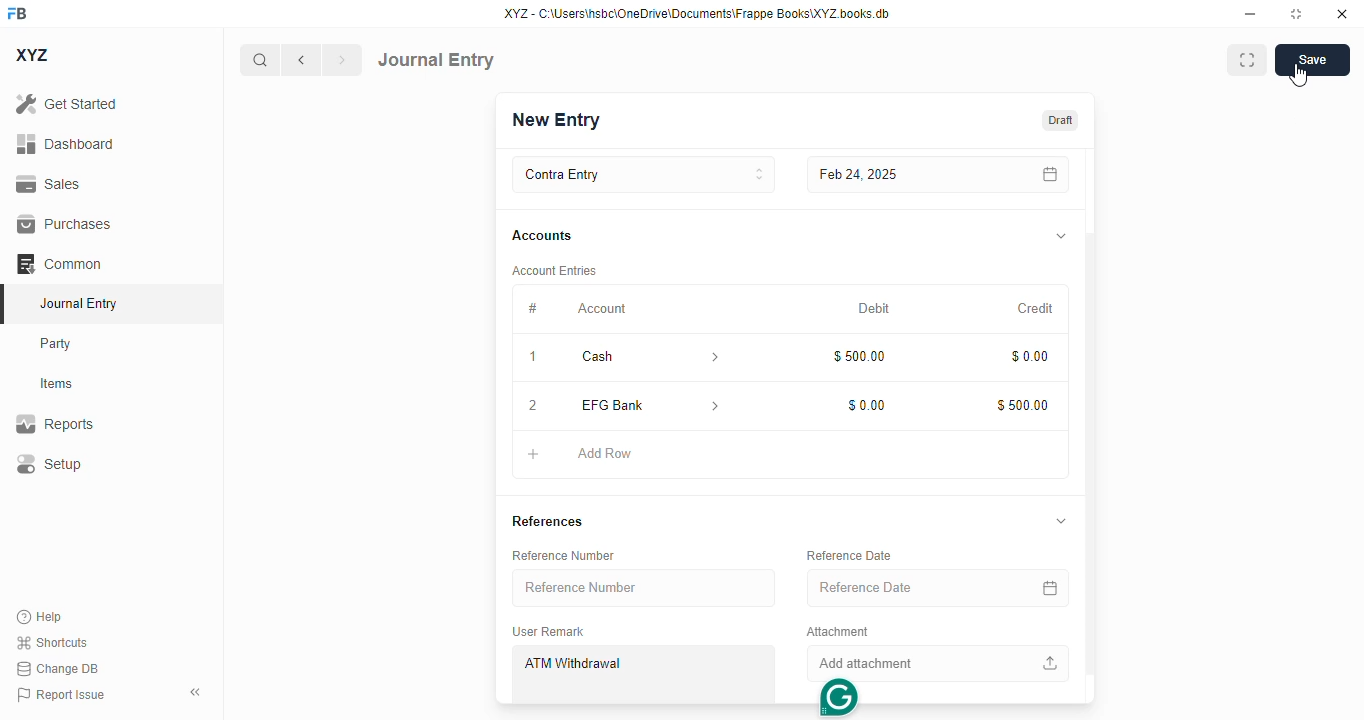 The image size is (1364, 720). I want to click on references, so click(549, 523).